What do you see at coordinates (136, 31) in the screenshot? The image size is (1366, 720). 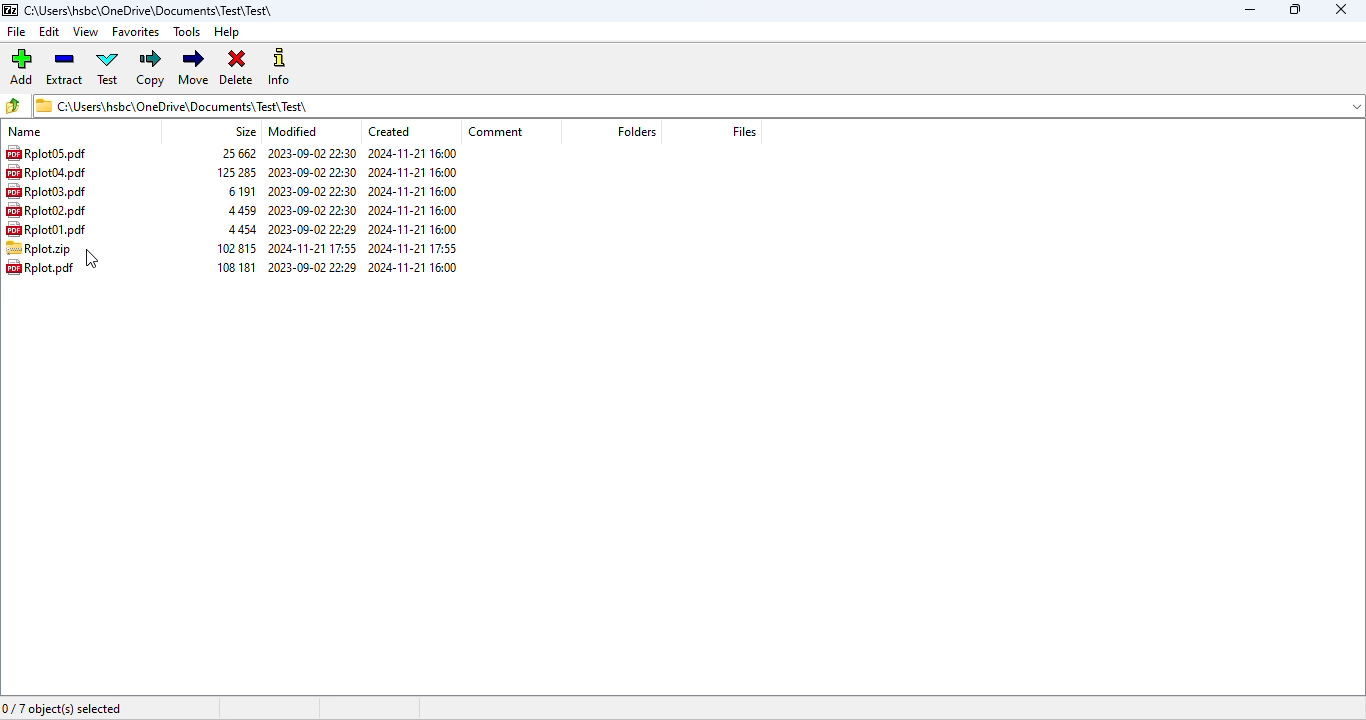 I see `favorites` at bounding box center [136, 31].